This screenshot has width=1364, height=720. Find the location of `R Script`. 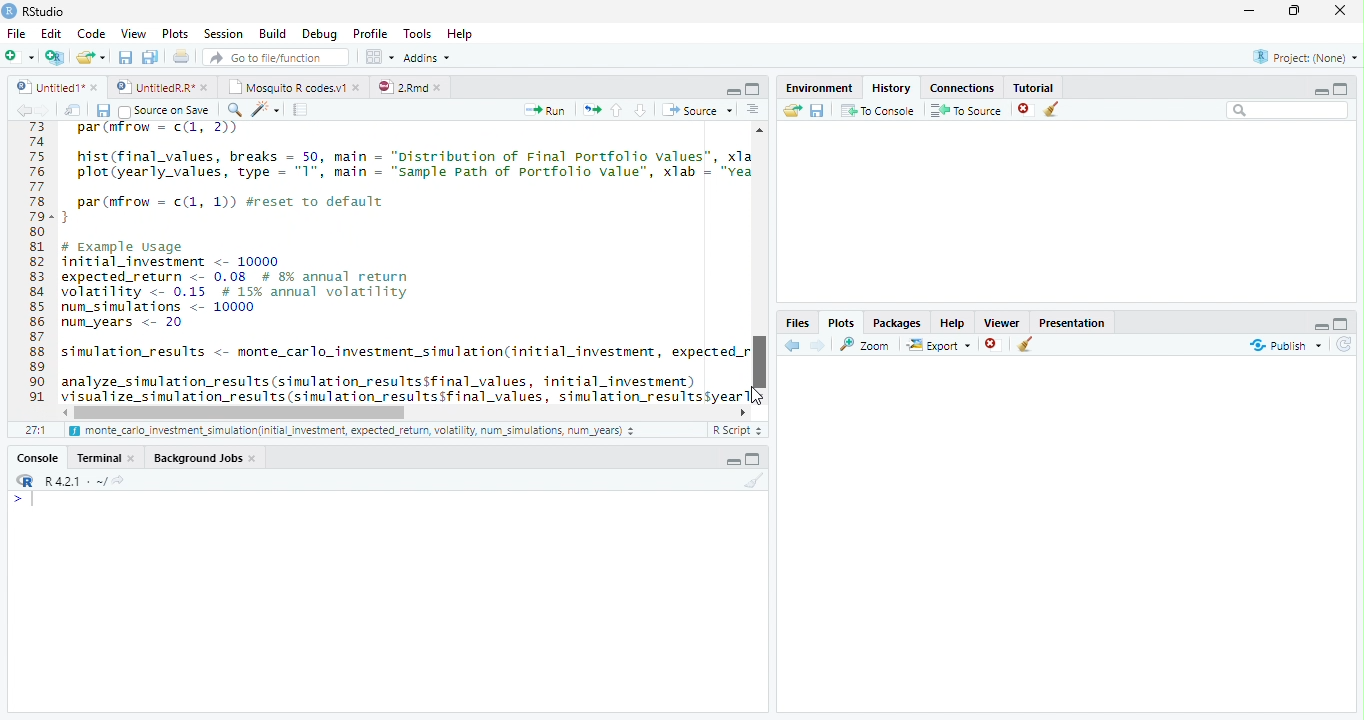

R Script is located at coordinates (737, 430).